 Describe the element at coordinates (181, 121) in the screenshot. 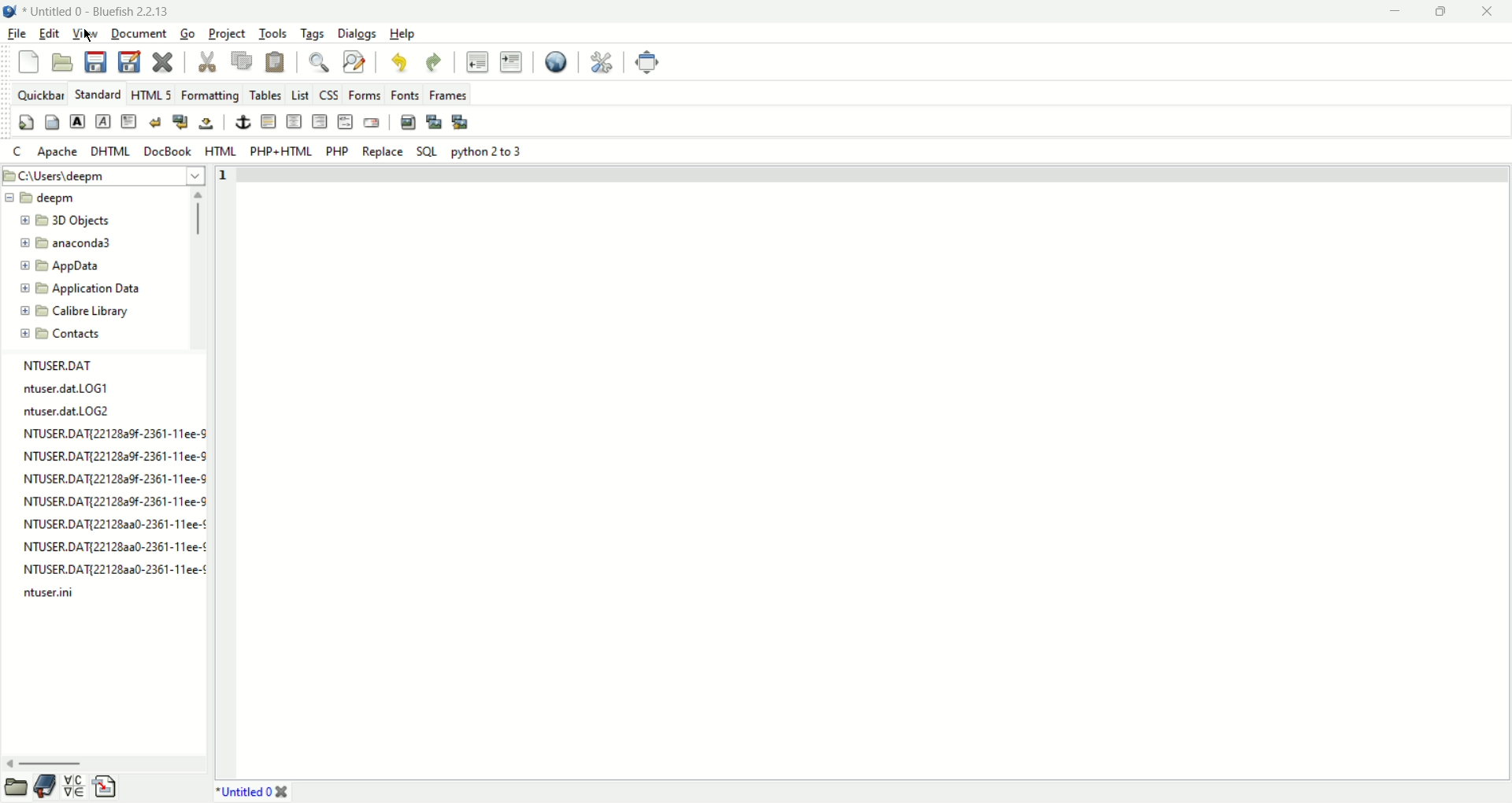

I see `break and clear` at that location.